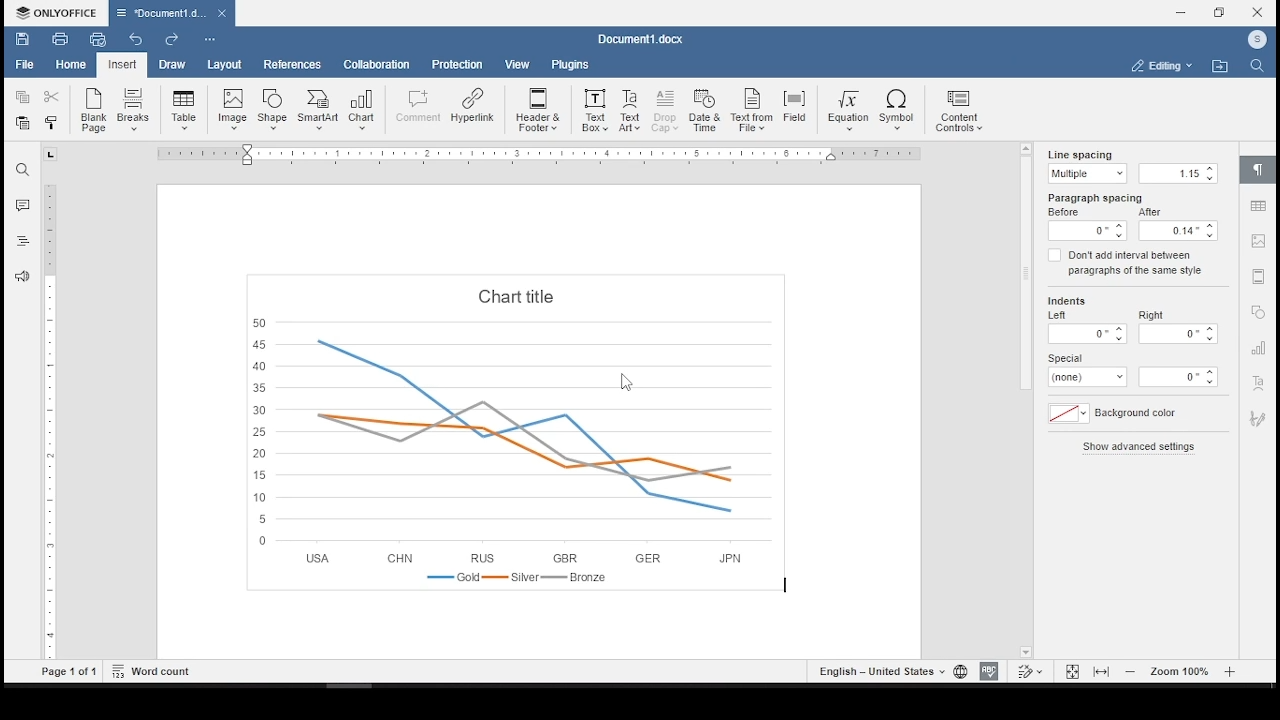 The height and width of the screenshot is (720, 1280). Describe the element at coordinates (1259, 172) in the screenshot. I see `paragraph settings` at that location.